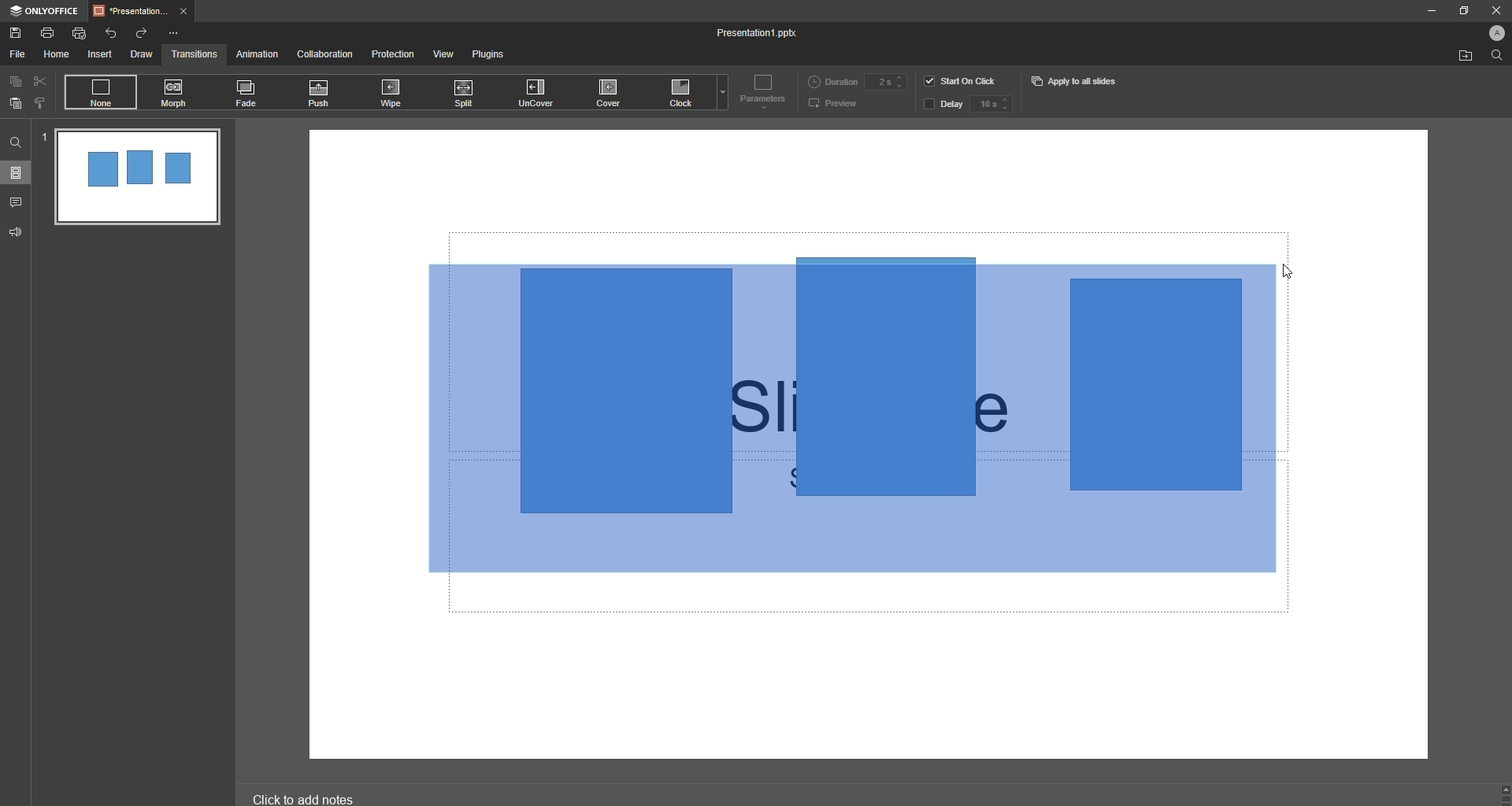  What do you see at coordinates (325, 55) in the screenshot?
I see `Collaboration` at bounding box center [325, 55].